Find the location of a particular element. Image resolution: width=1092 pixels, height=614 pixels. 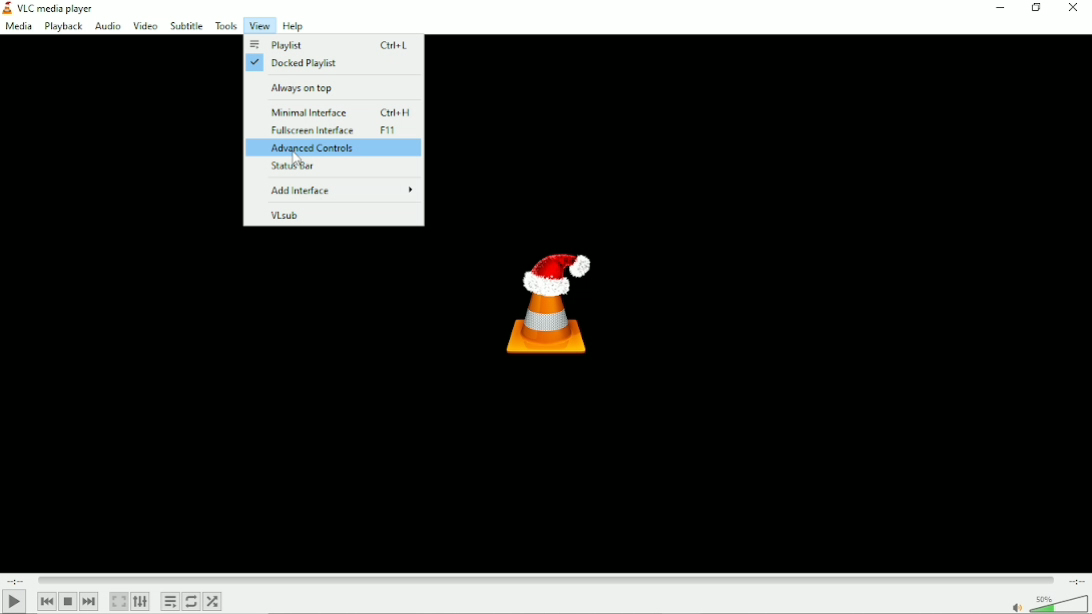

vlc media player logo is located at coordinates (7, 8).